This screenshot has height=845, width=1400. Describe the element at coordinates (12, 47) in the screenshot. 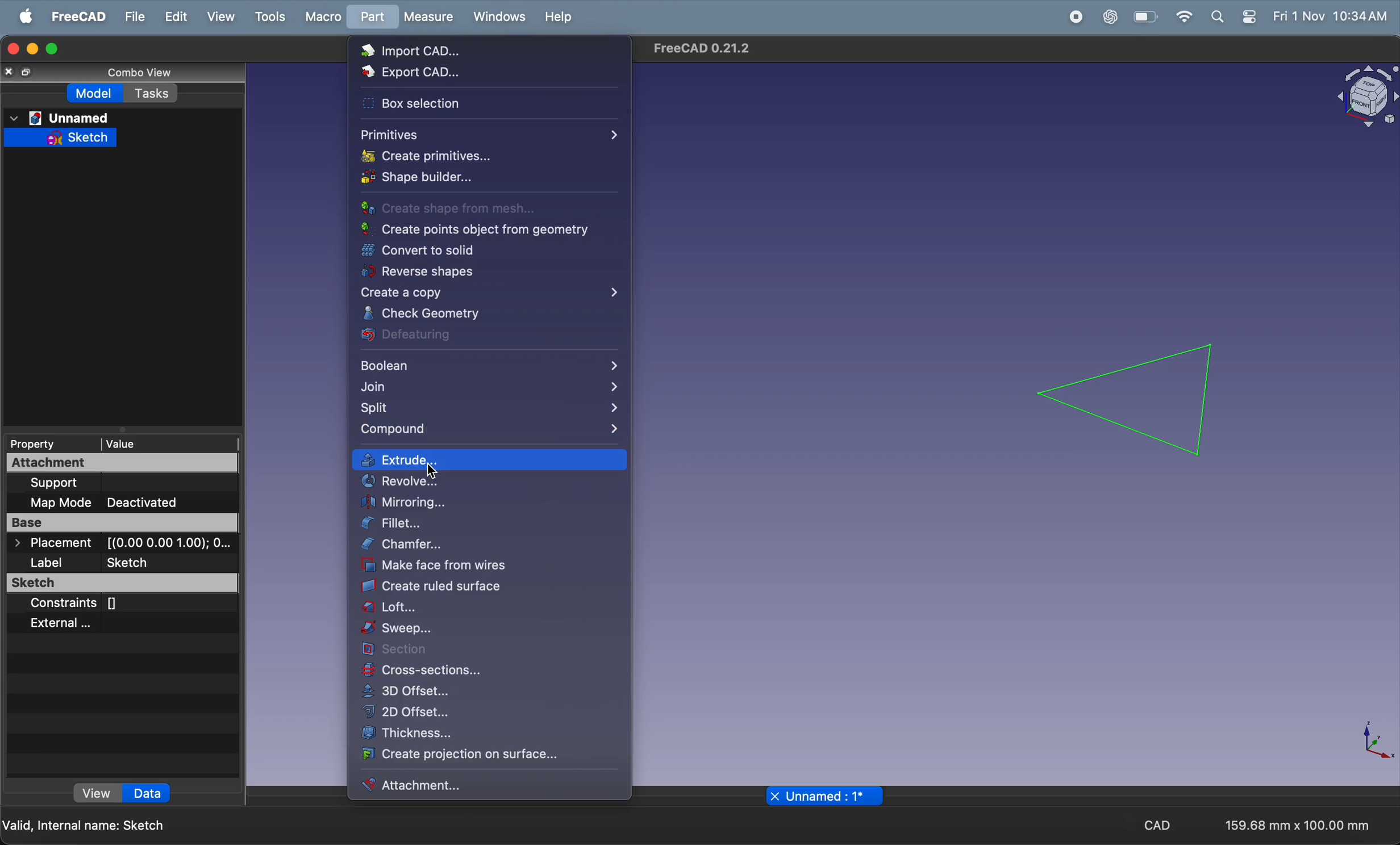

I see `closing window` at that location.